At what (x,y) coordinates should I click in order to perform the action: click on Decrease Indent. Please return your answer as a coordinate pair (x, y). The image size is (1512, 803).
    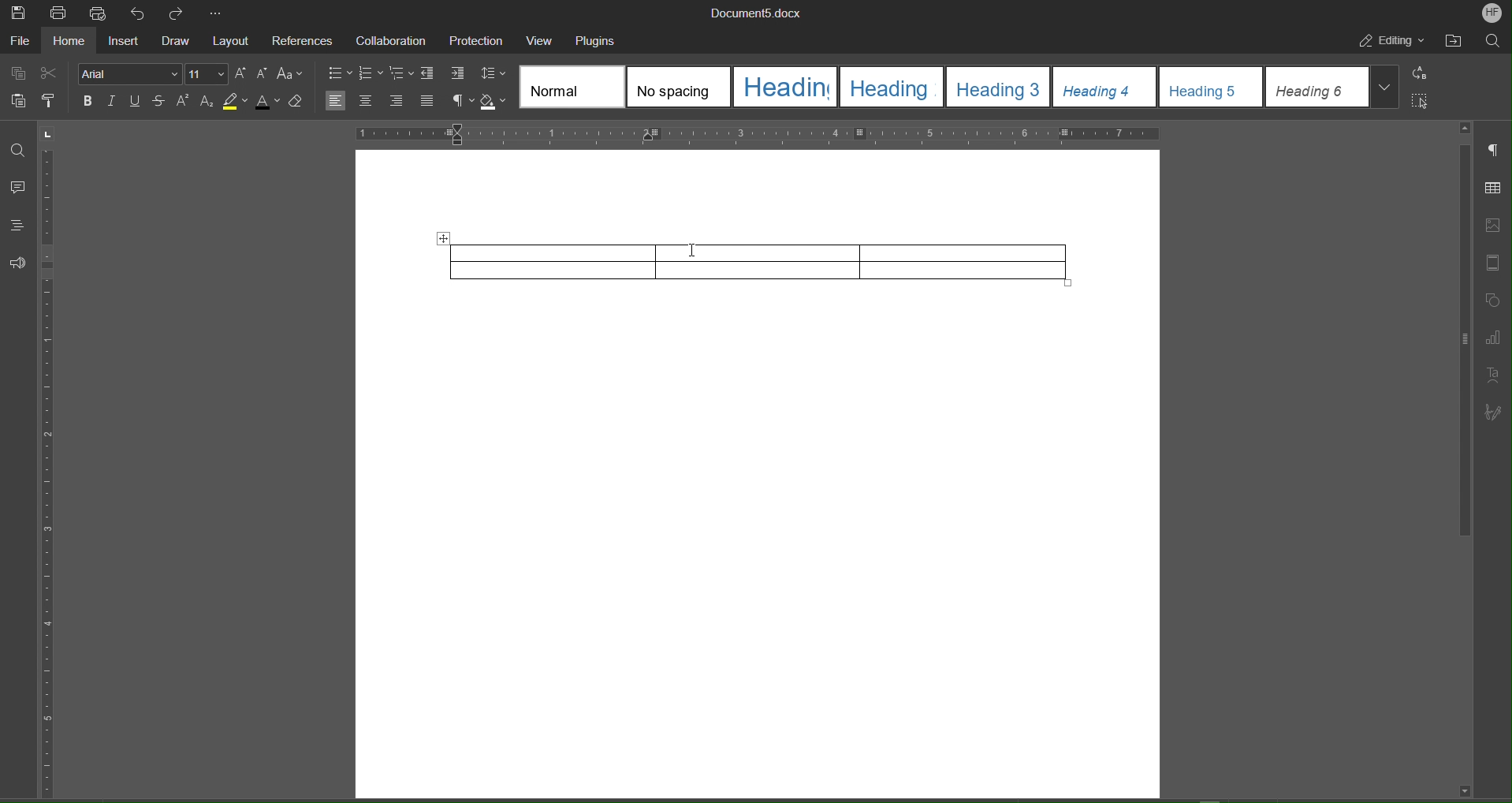
    Looking at the image, I should click on (430, 74).